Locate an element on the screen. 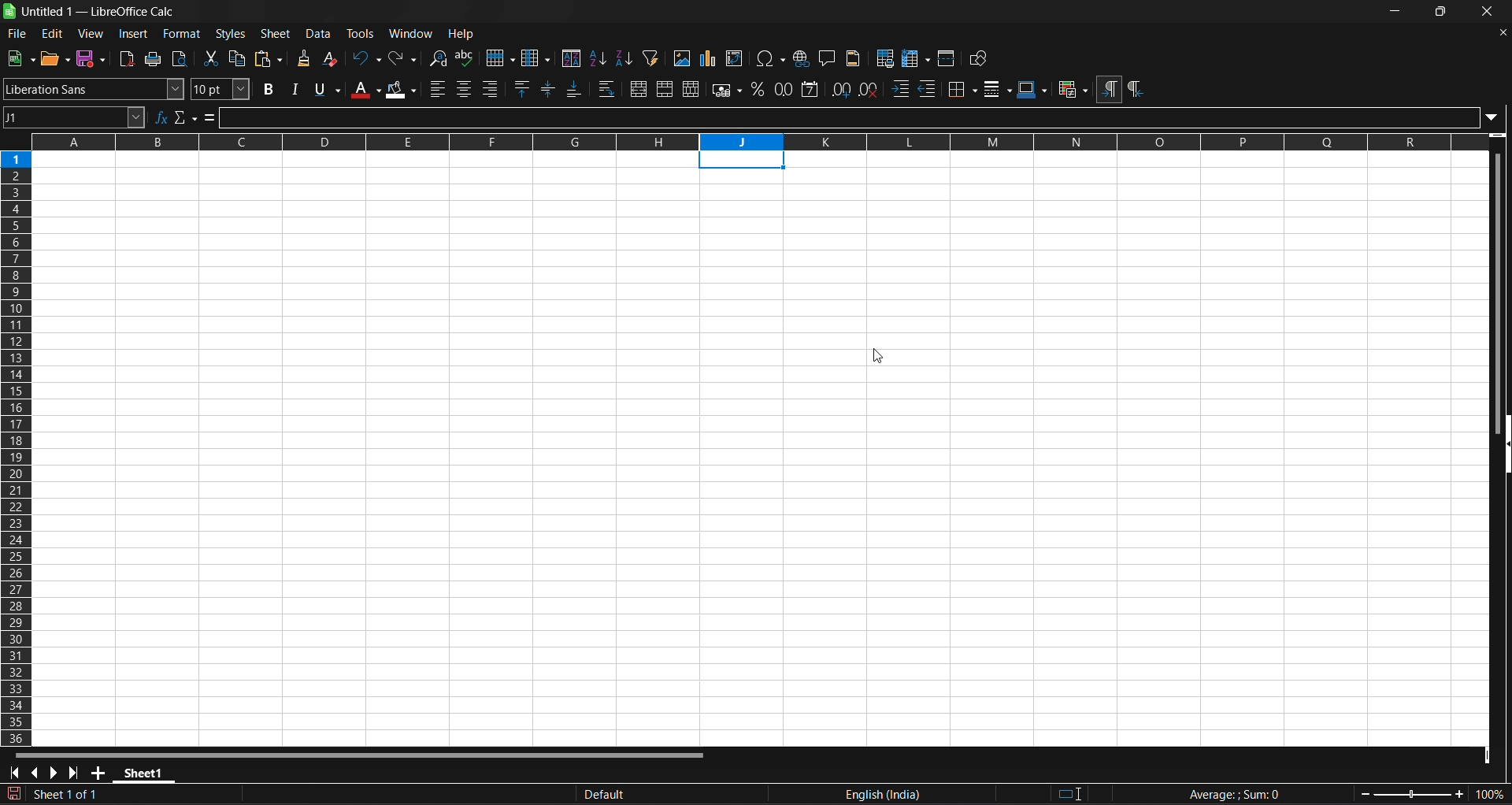 The height and width of the screenshot is (805, 1512). clear direct formatting is located at coordinates (332, 57).